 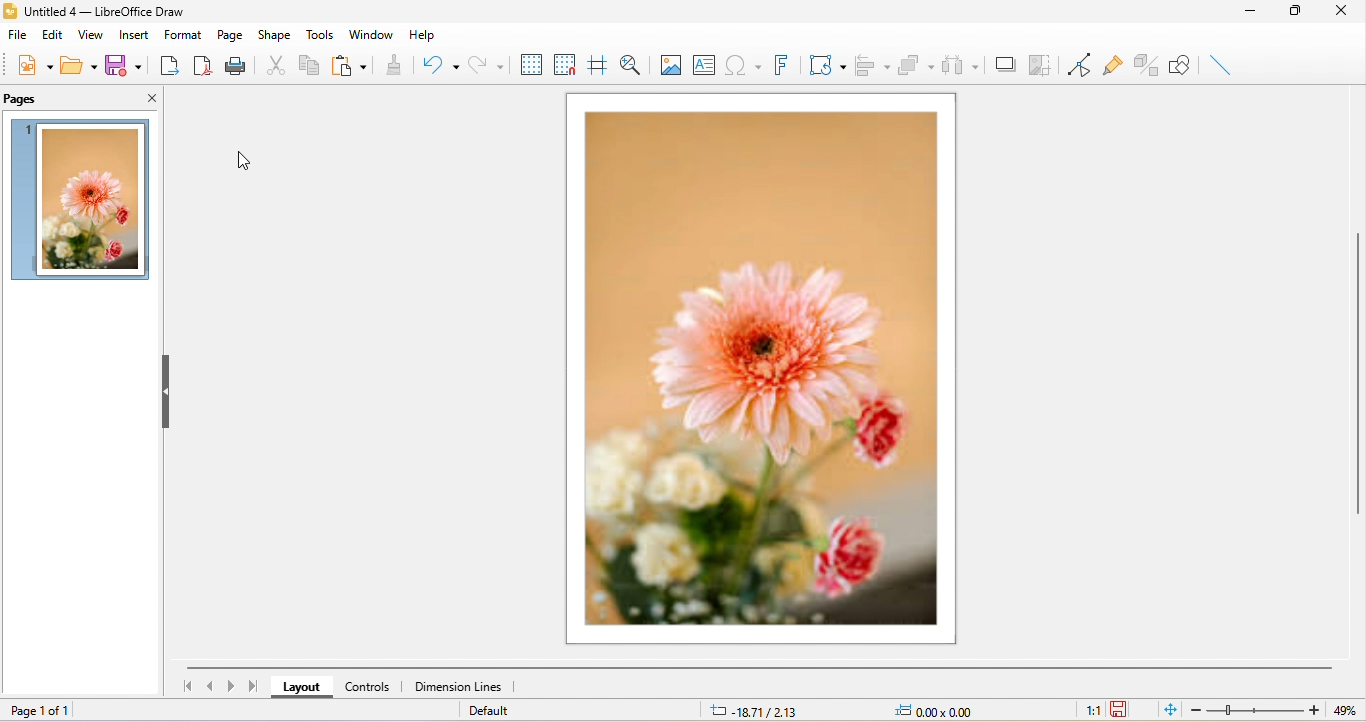 What do you see at coordinates (496, 711) in the screenshot?
I see `Default` at bounding box center [496, 711].